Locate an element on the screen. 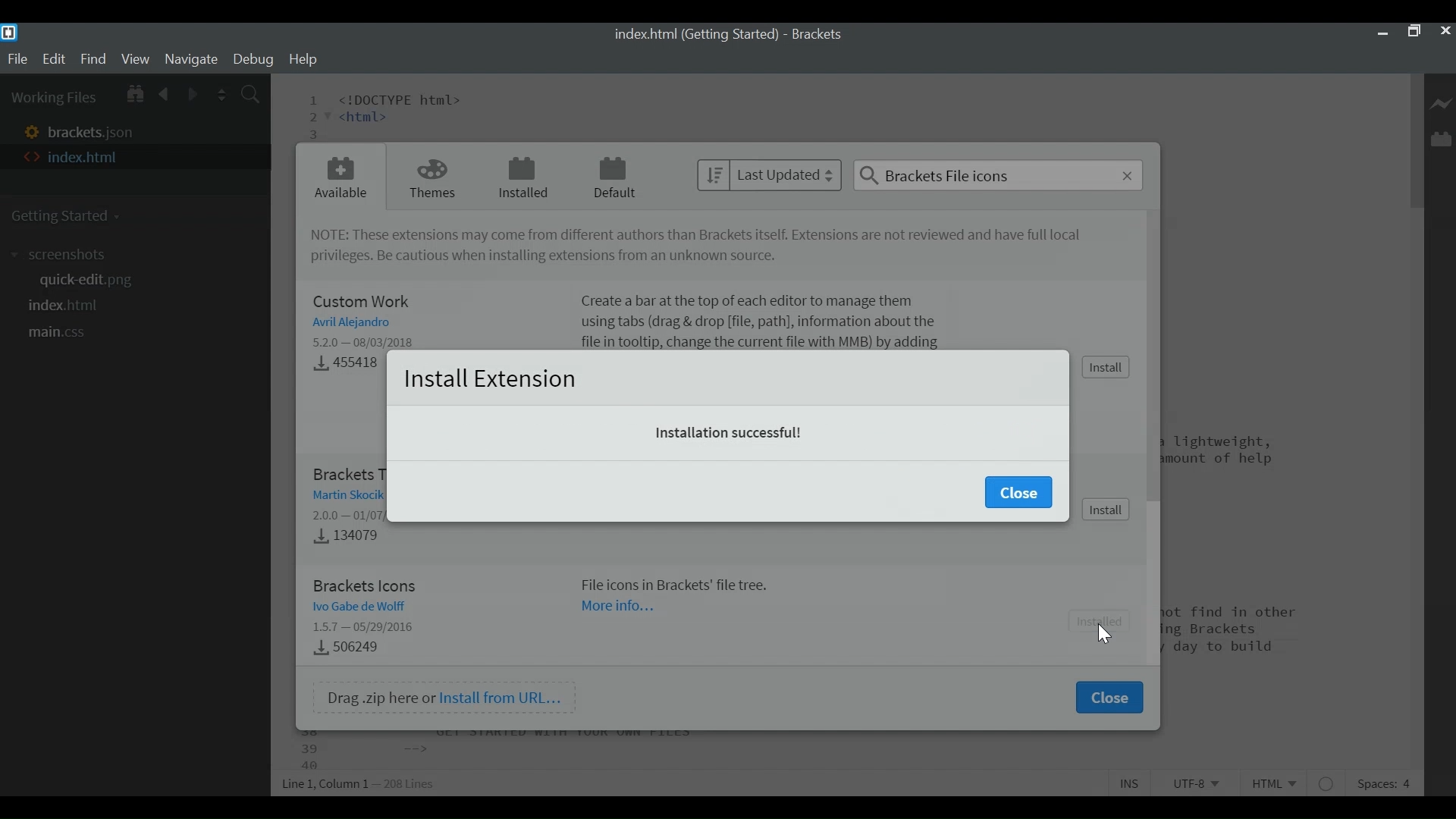 Image resolution: width=1456 pixels, height=819 pixels. NOTE: These Extensions may come from different authors than brackets itself. Extensions are not reviewed and have not full privileges is located at coordinates (701, 236).